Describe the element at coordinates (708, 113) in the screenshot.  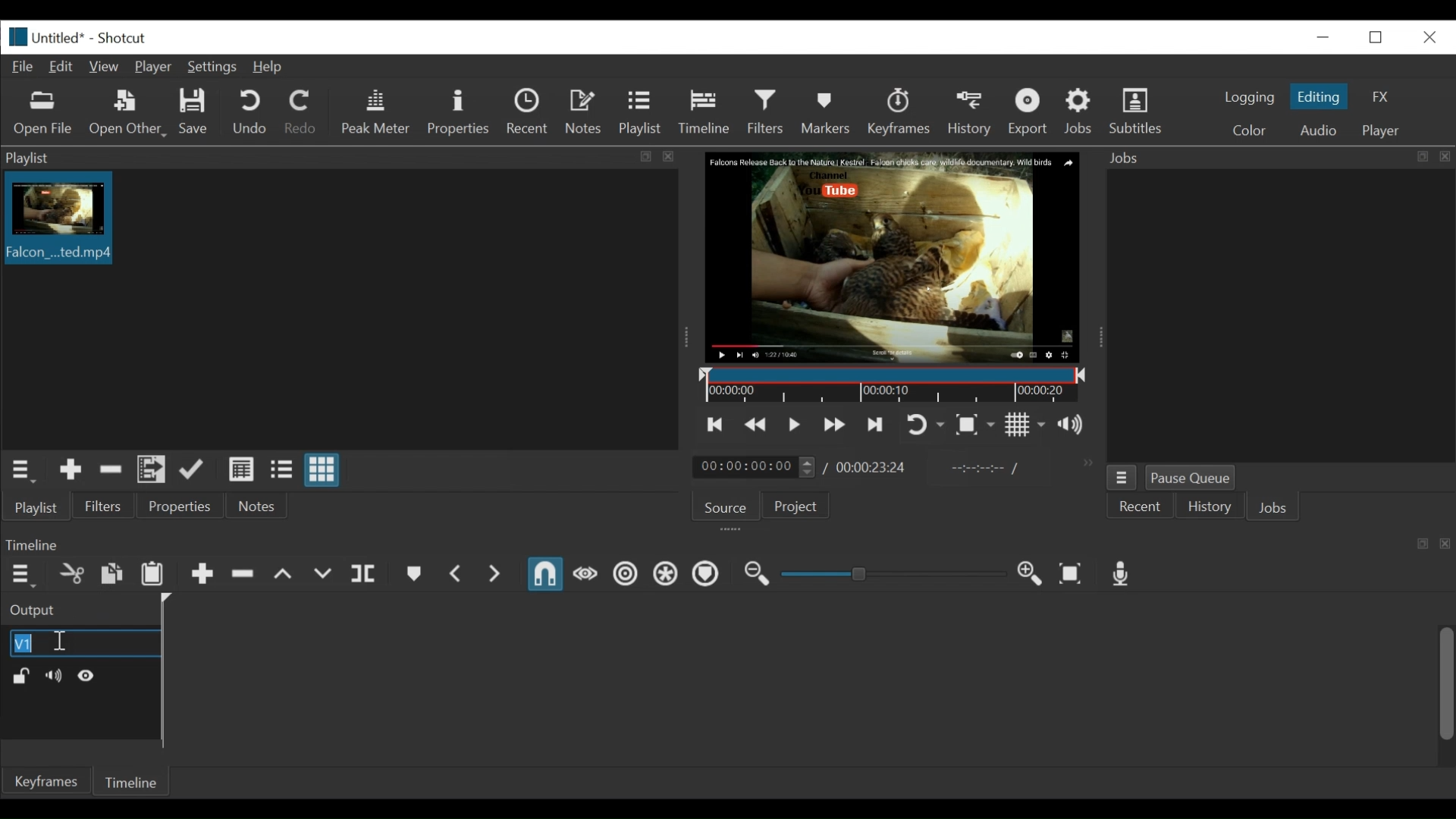
I see `Timeline` at that location.